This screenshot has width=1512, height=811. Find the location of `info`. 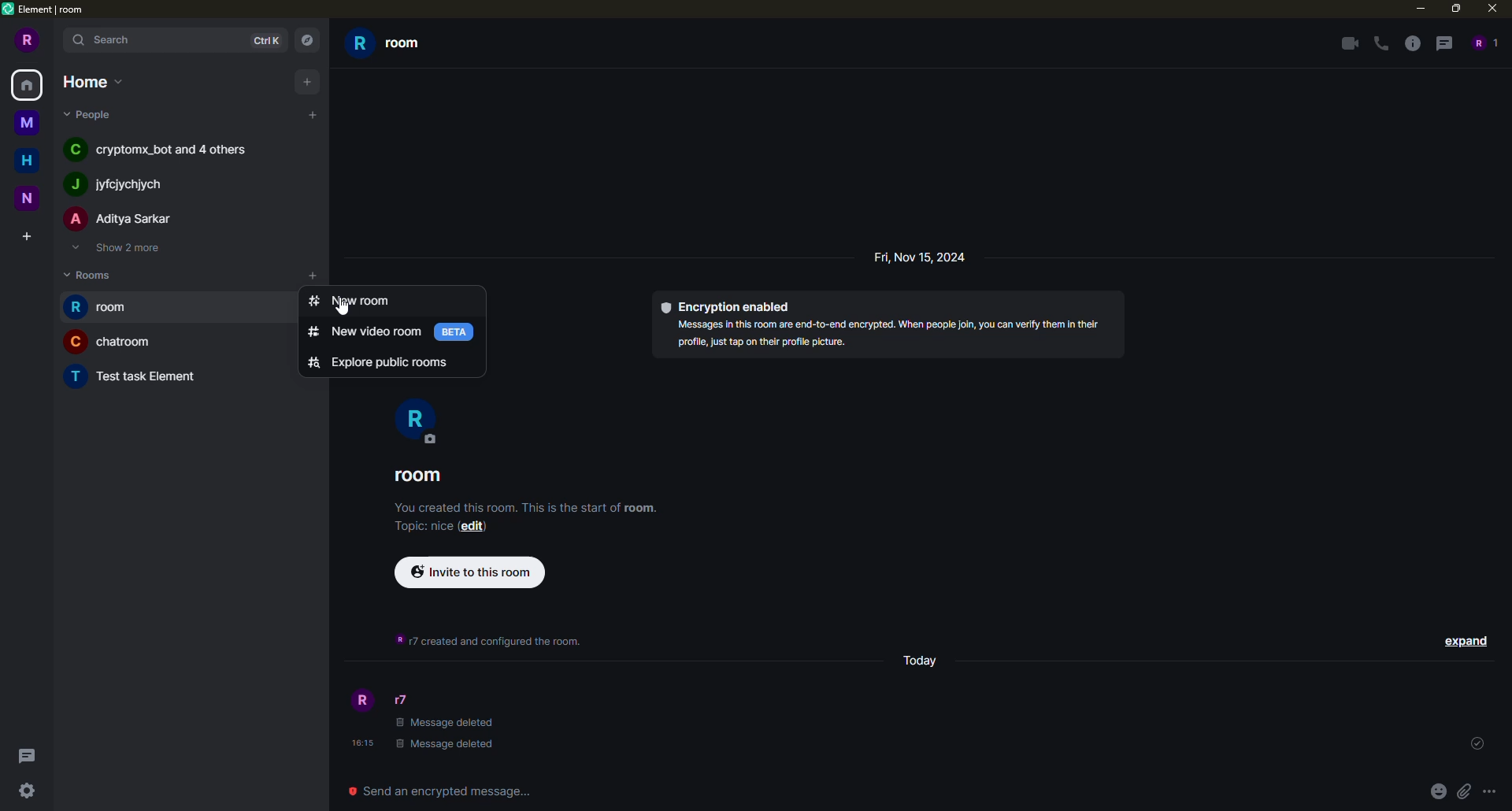

info is located at coordinates (895, 333).